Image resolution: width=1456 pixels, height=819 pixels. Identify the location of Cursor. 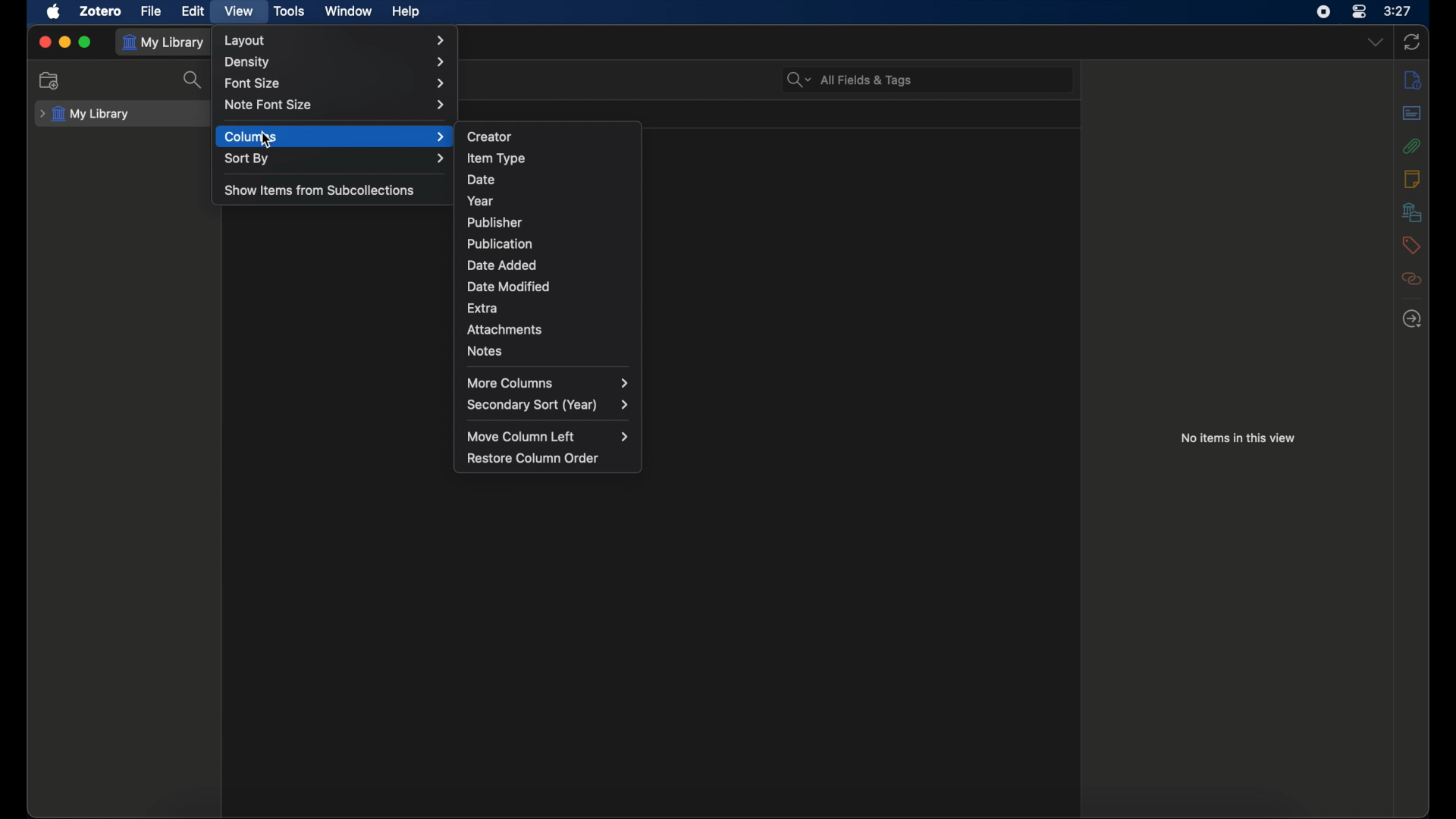
(268, 142).